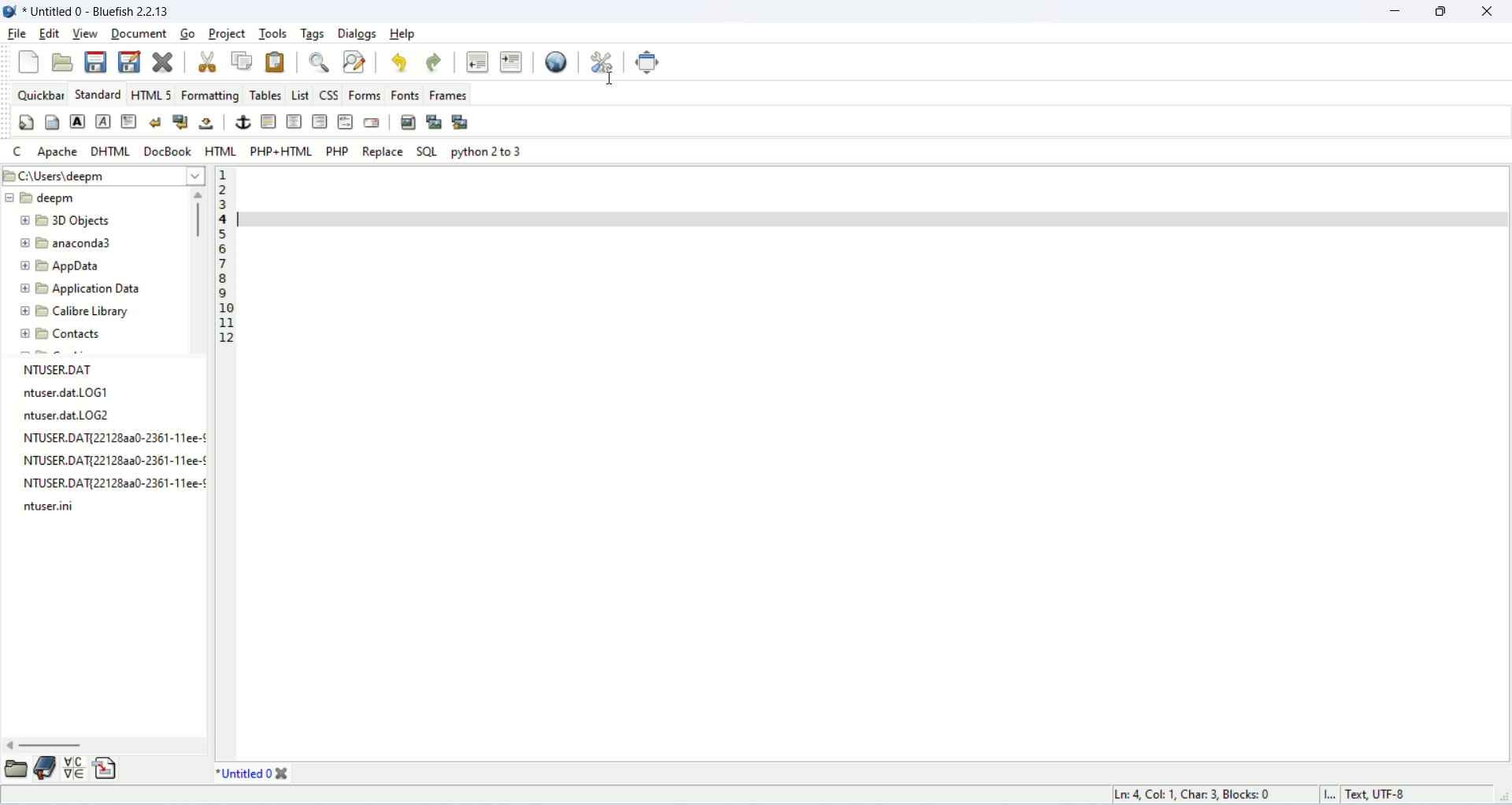 This screenshot has height=805, width=1512. What do you see at coordinates (186, 33) in the screenshot?
I see `go` at bounding box center [186, 33].